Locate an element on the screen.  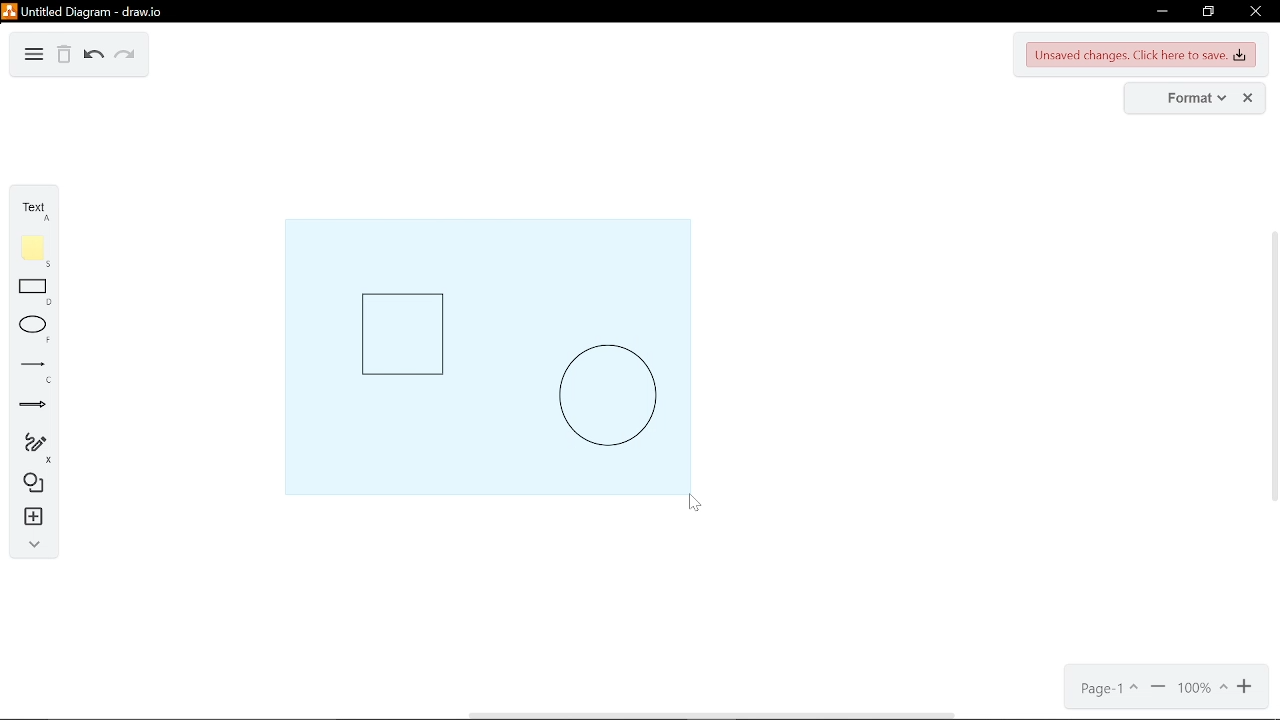
horizontal scrollbar is located at coordinates (714, 715).